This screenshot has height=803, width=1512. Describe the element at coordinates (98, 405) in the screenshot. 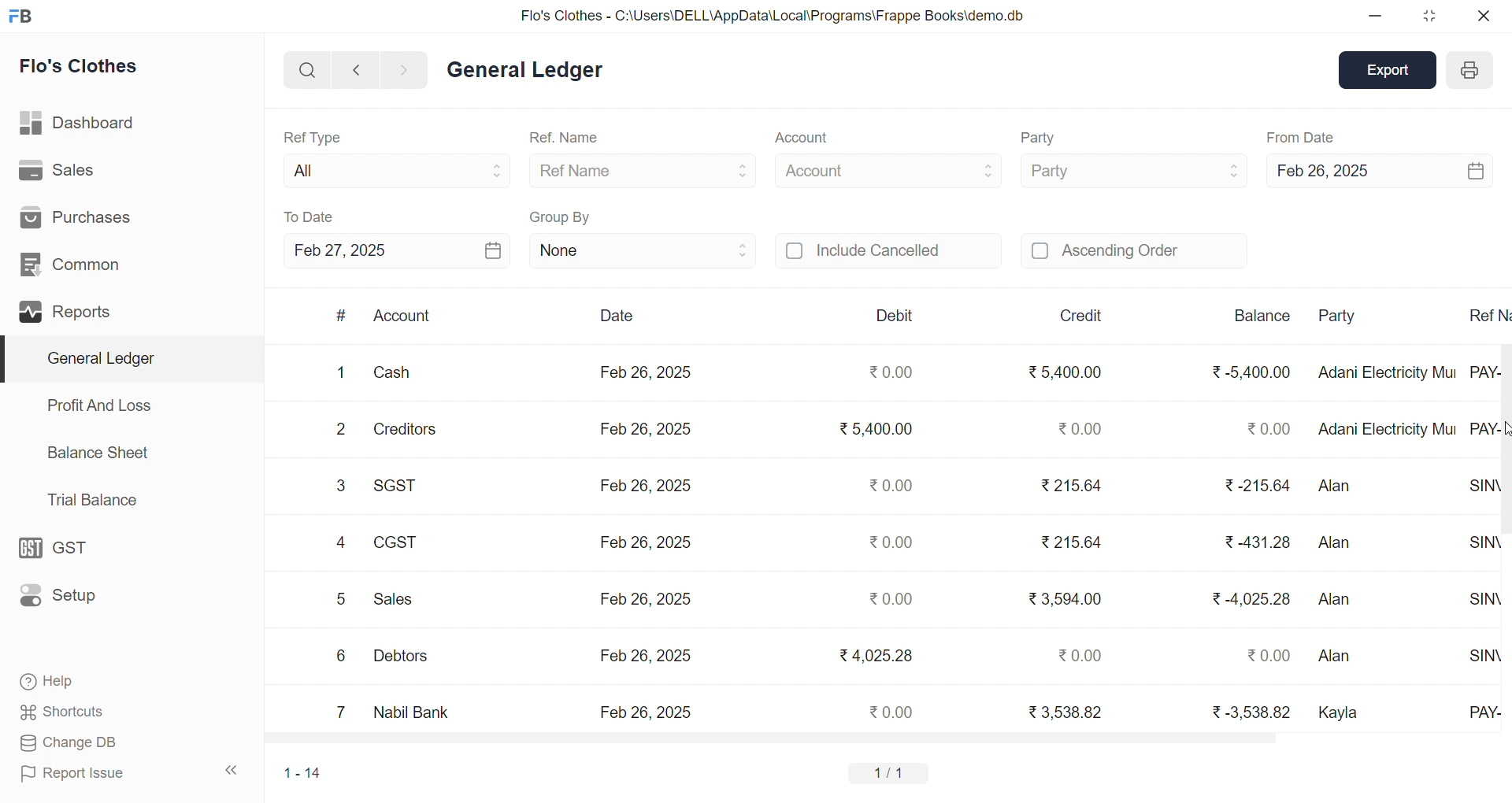

I see `Profit And Loss` at that location.